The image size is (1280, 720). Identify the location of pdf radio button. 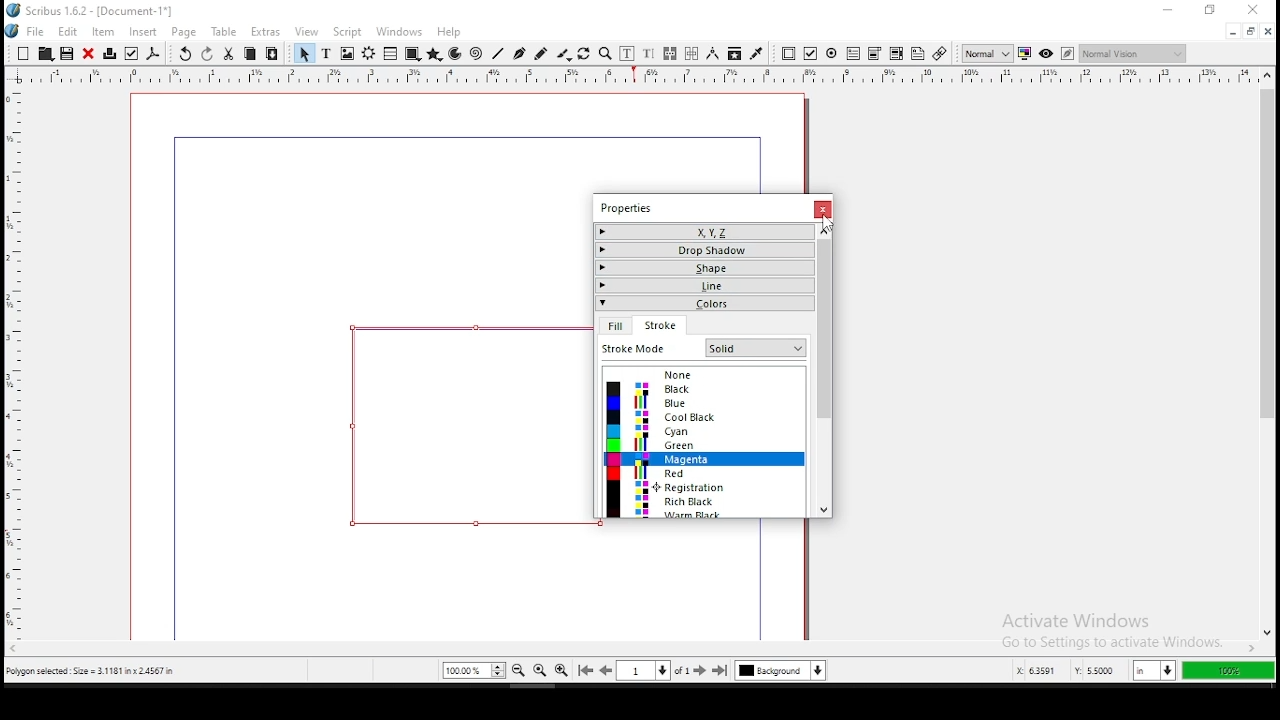
(832, 53).